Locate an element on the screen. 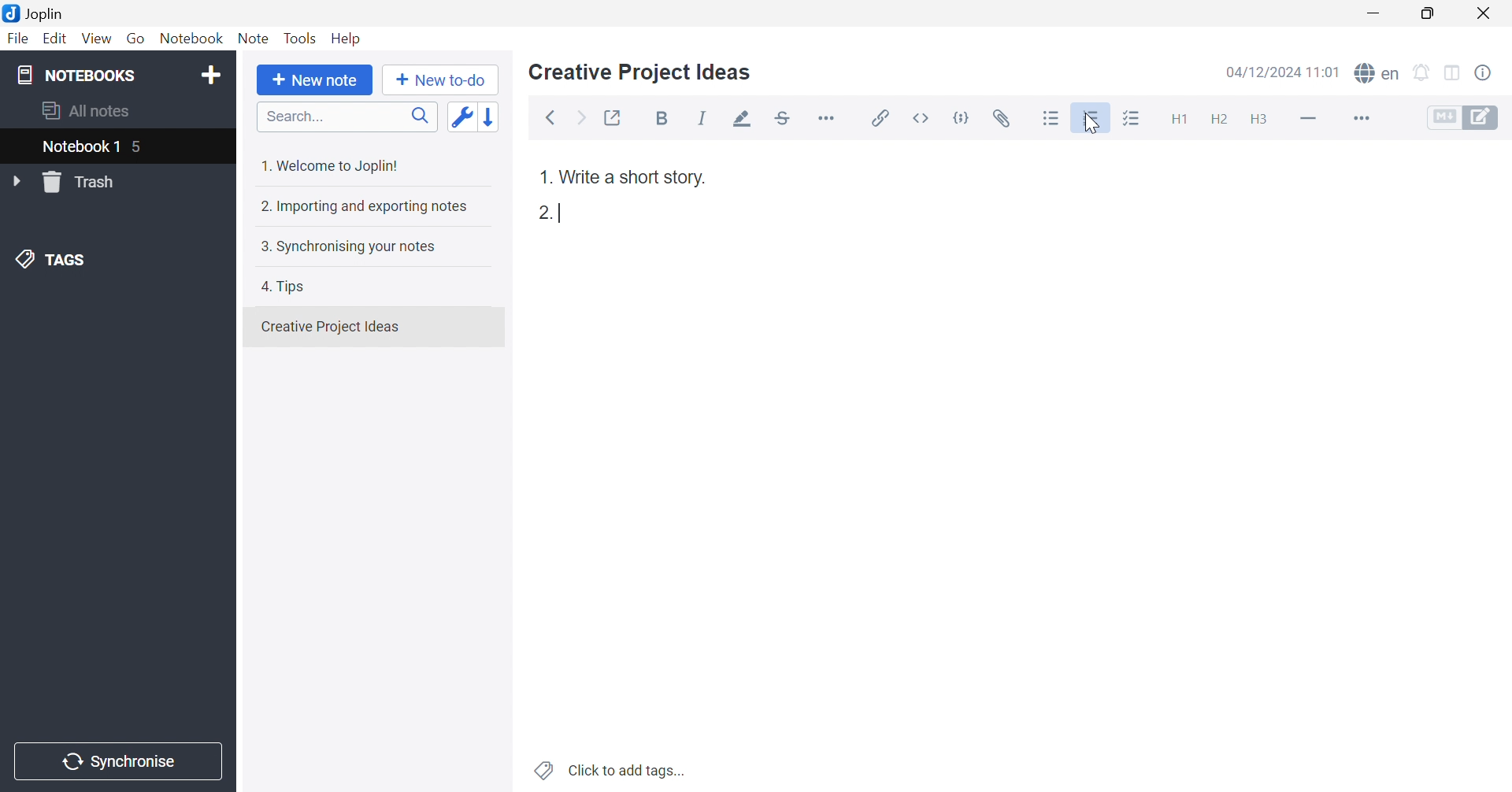 The height and width of the screenshot is (792, 1512). Write a short story. is located at coordinates (632, 177).